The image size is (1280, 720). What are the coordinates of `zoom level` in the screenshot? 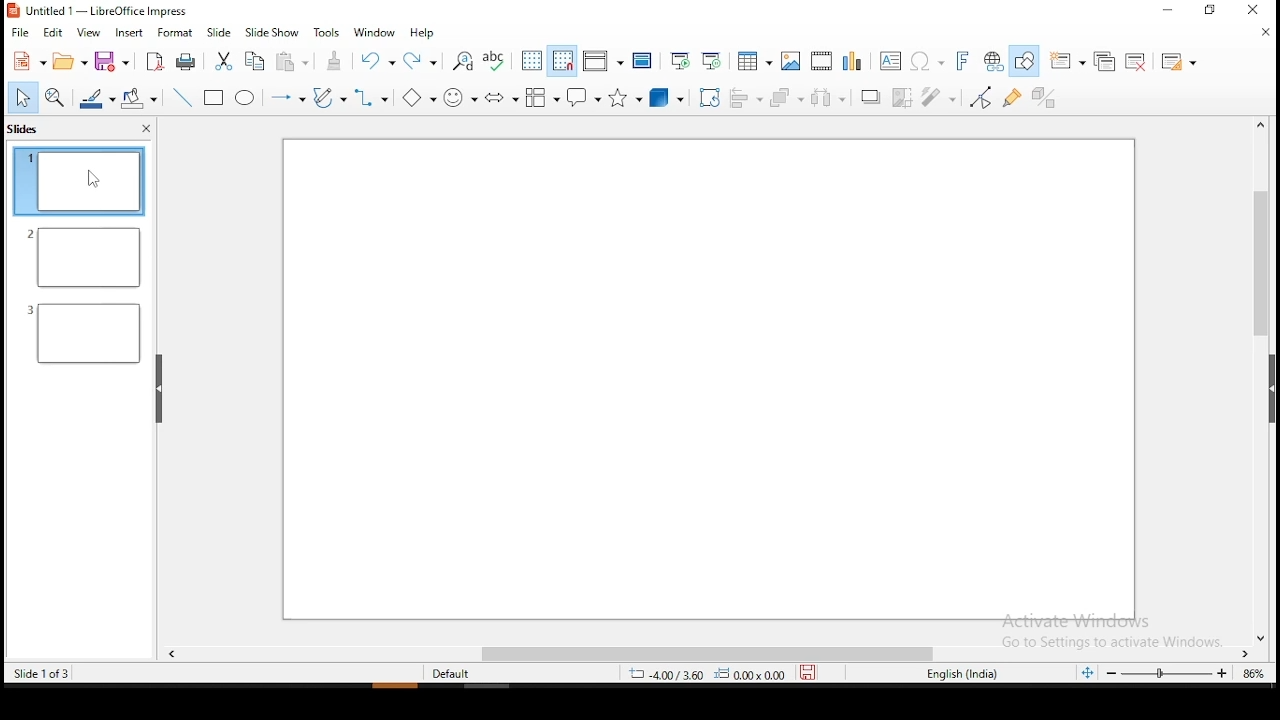 It's located at (1252, 673).